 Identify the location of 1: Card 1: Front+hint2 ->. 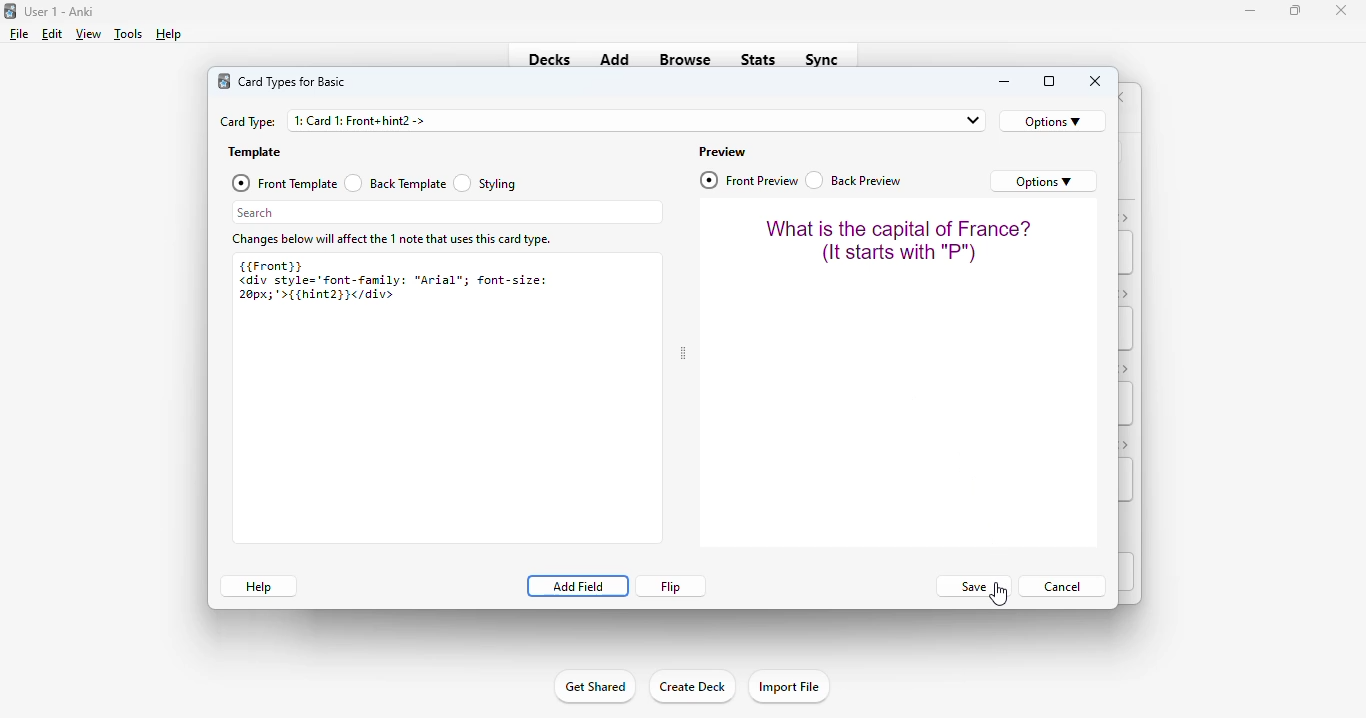
(362, 121).